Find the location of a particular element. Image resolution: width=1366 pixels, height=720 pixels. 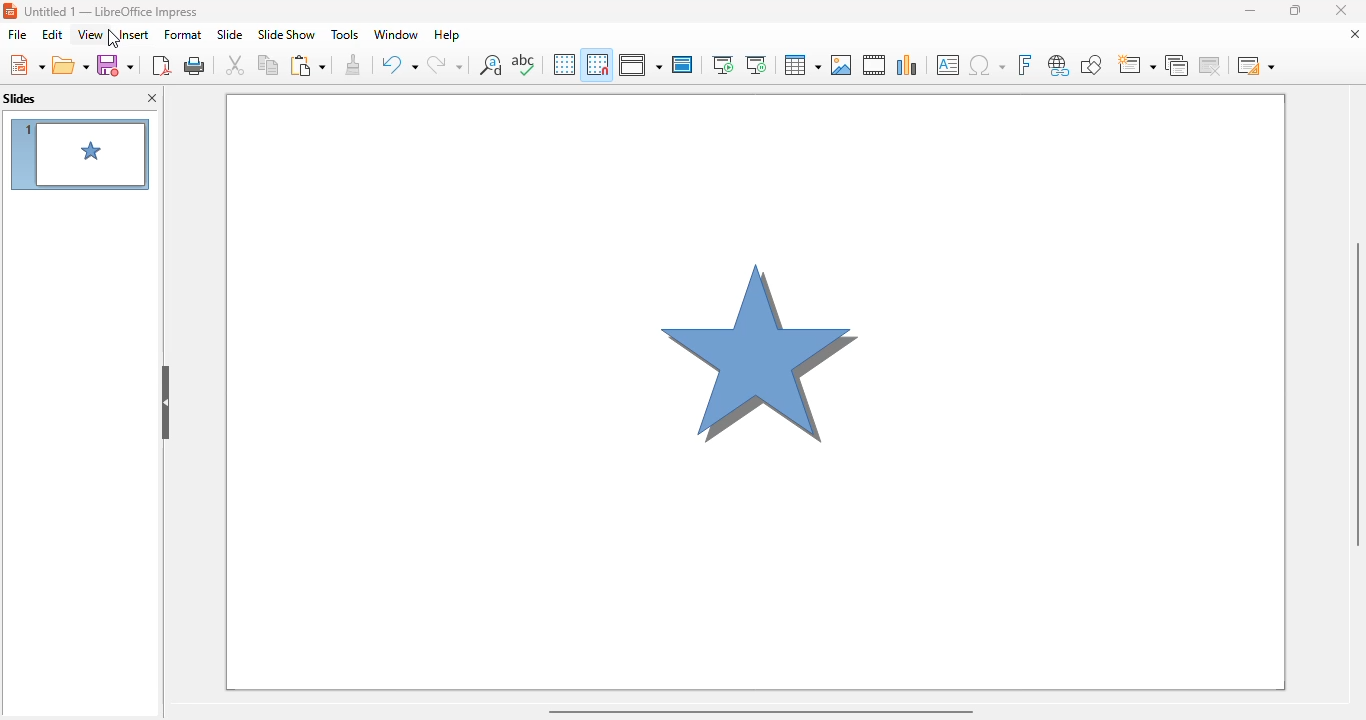

slides is located at coordinates (20, 98).